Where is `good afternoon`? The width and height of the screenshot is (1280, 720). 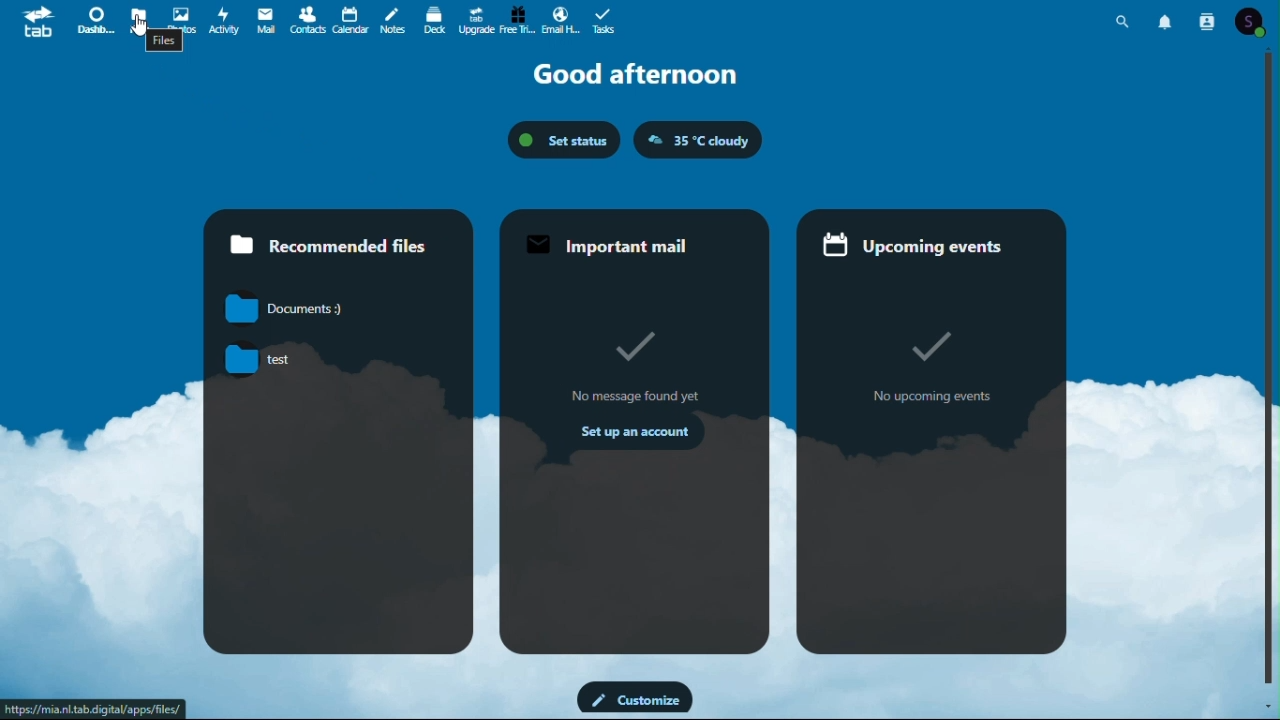
good afternoon is located at coordinates (627, 73).